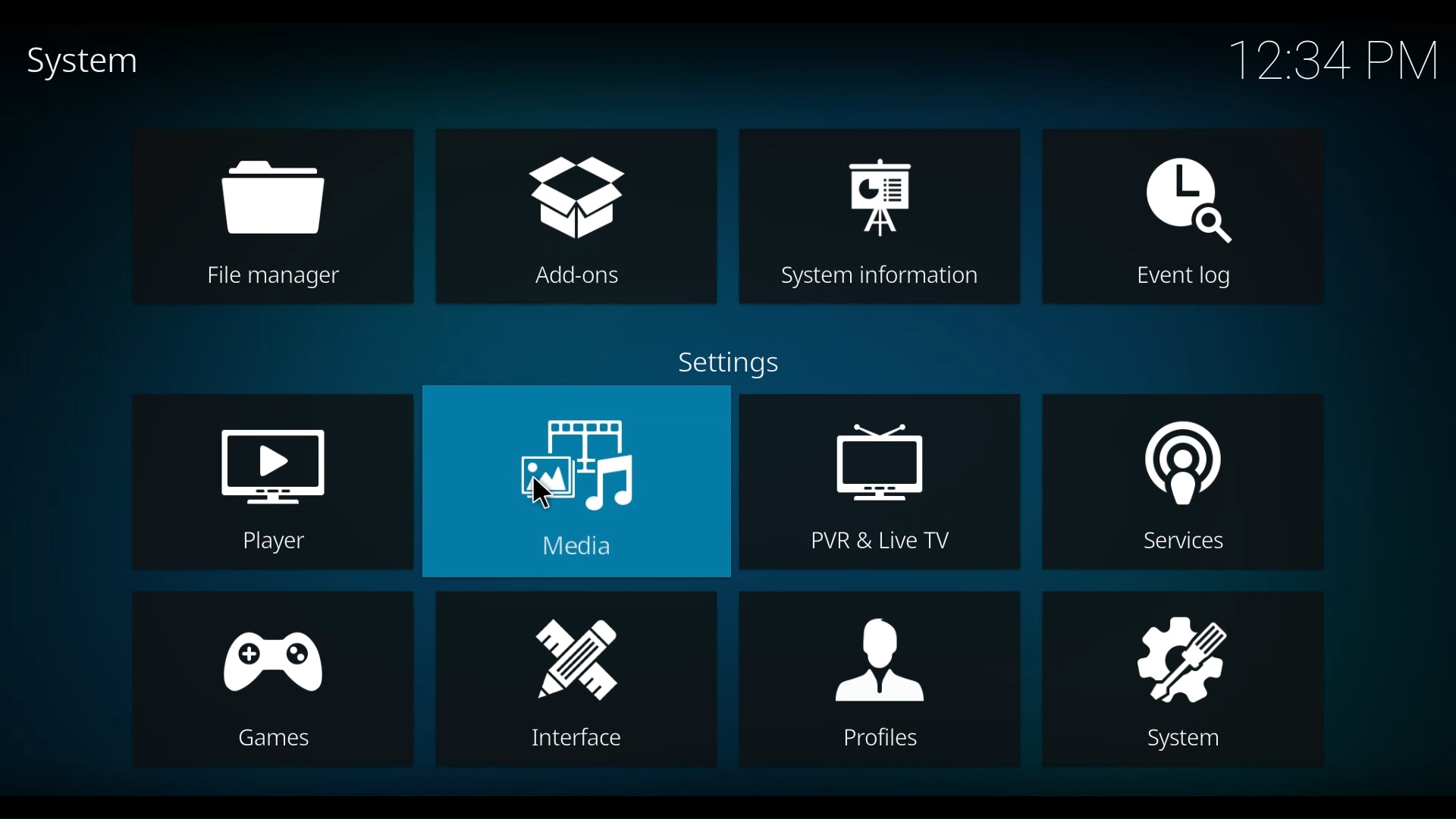  Describe the element at coordinates (724, 364) in the screenshot. I see `Settings` at that location.